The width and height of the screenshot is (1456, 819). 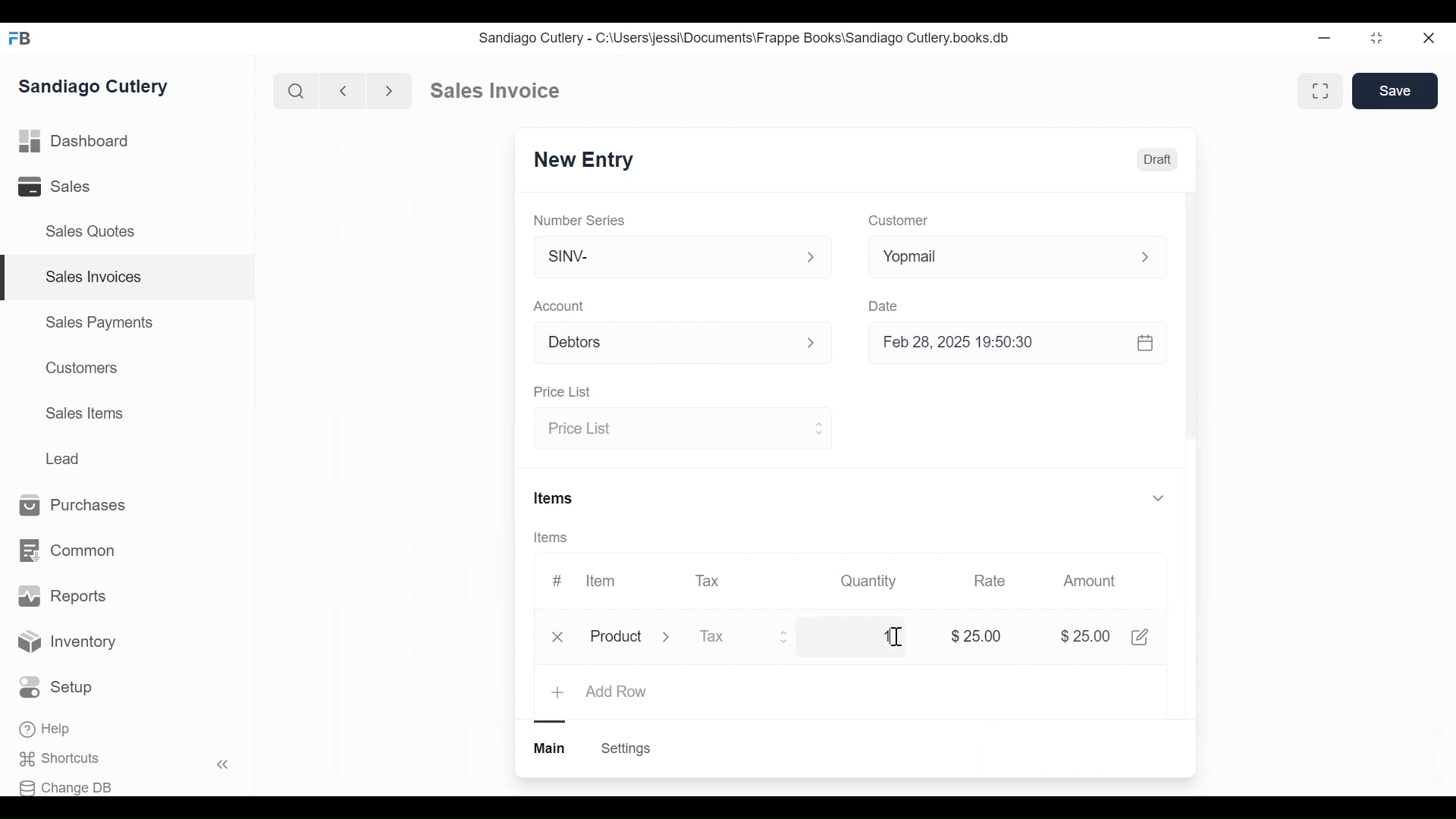 I want to click on + Add Row, so click(x=601, y=693).